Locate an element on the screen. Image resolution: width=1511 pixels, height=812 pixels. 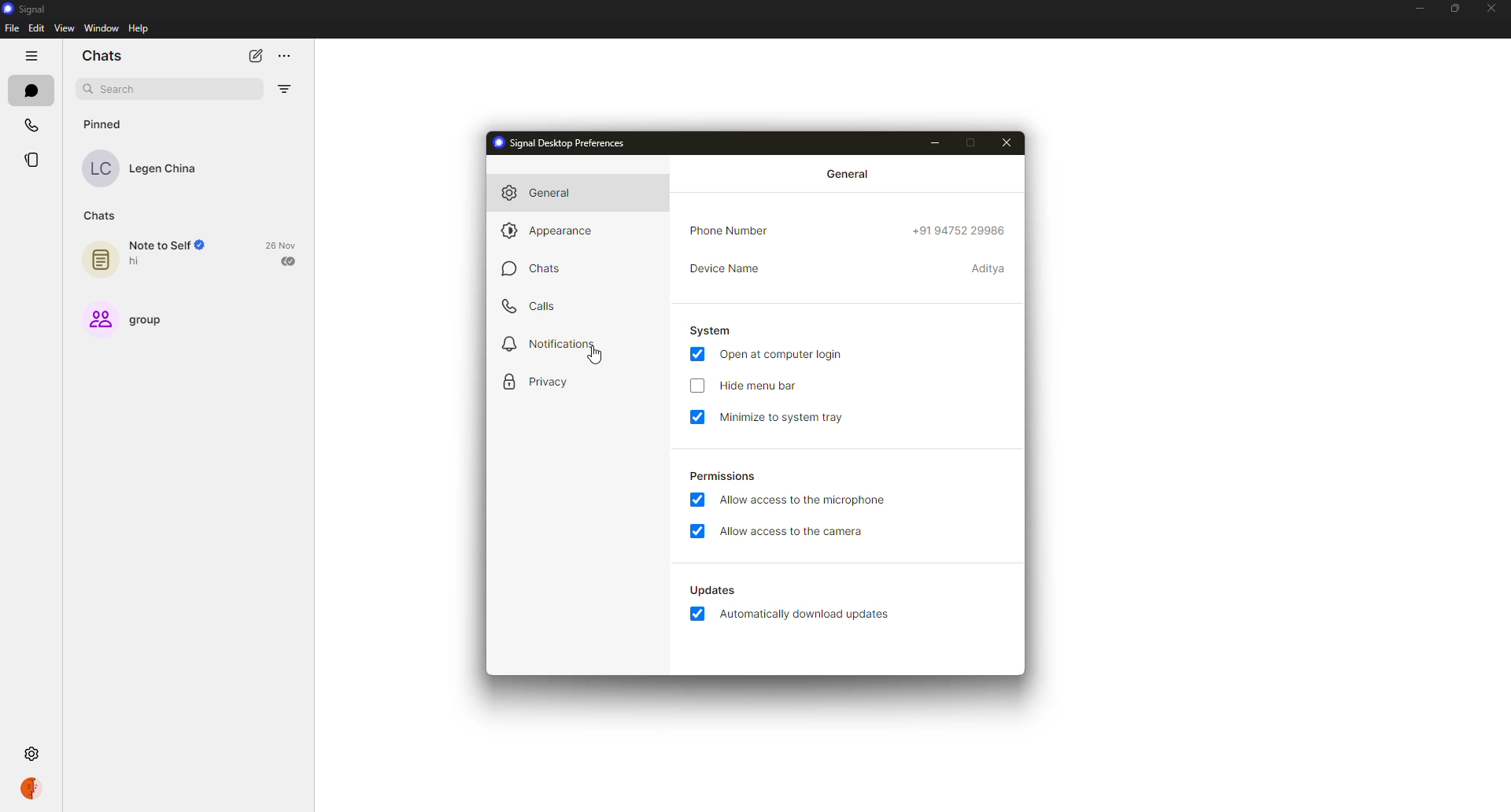
window is located at coordinates (104, 28).